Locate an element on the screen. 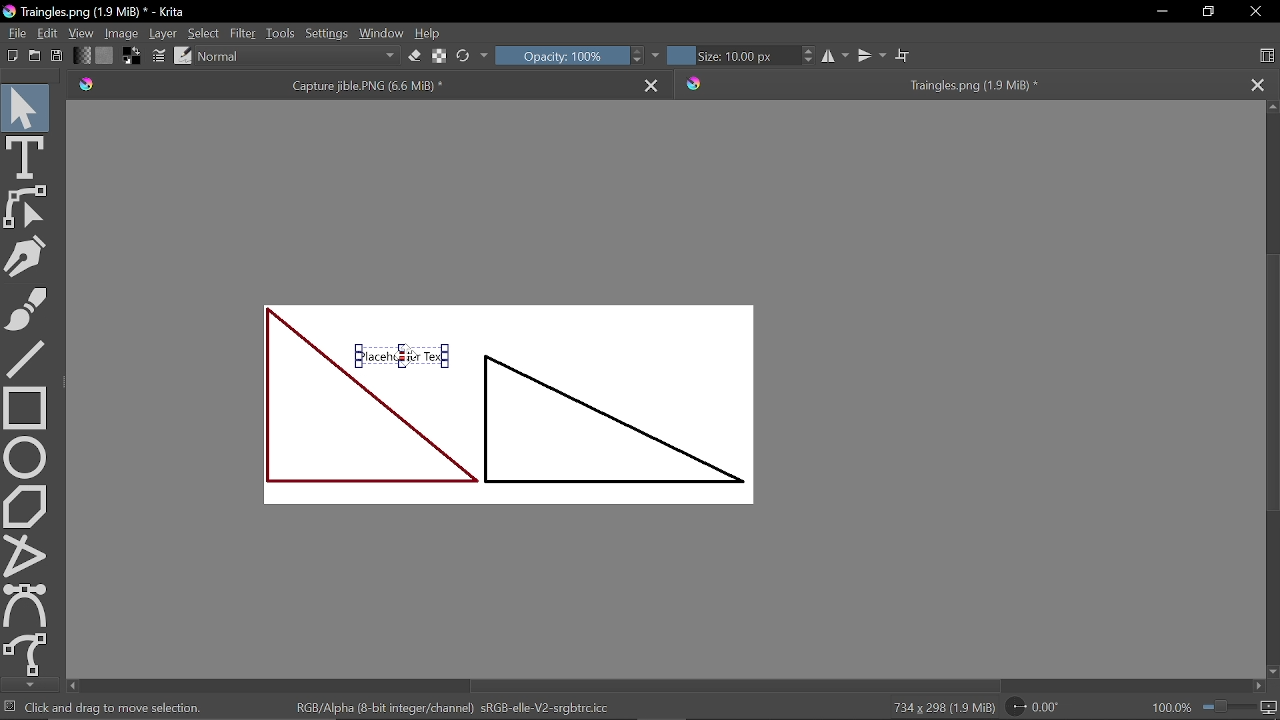  Traingles.png (1.9 MiB) * is located at coordinates (956, 84).